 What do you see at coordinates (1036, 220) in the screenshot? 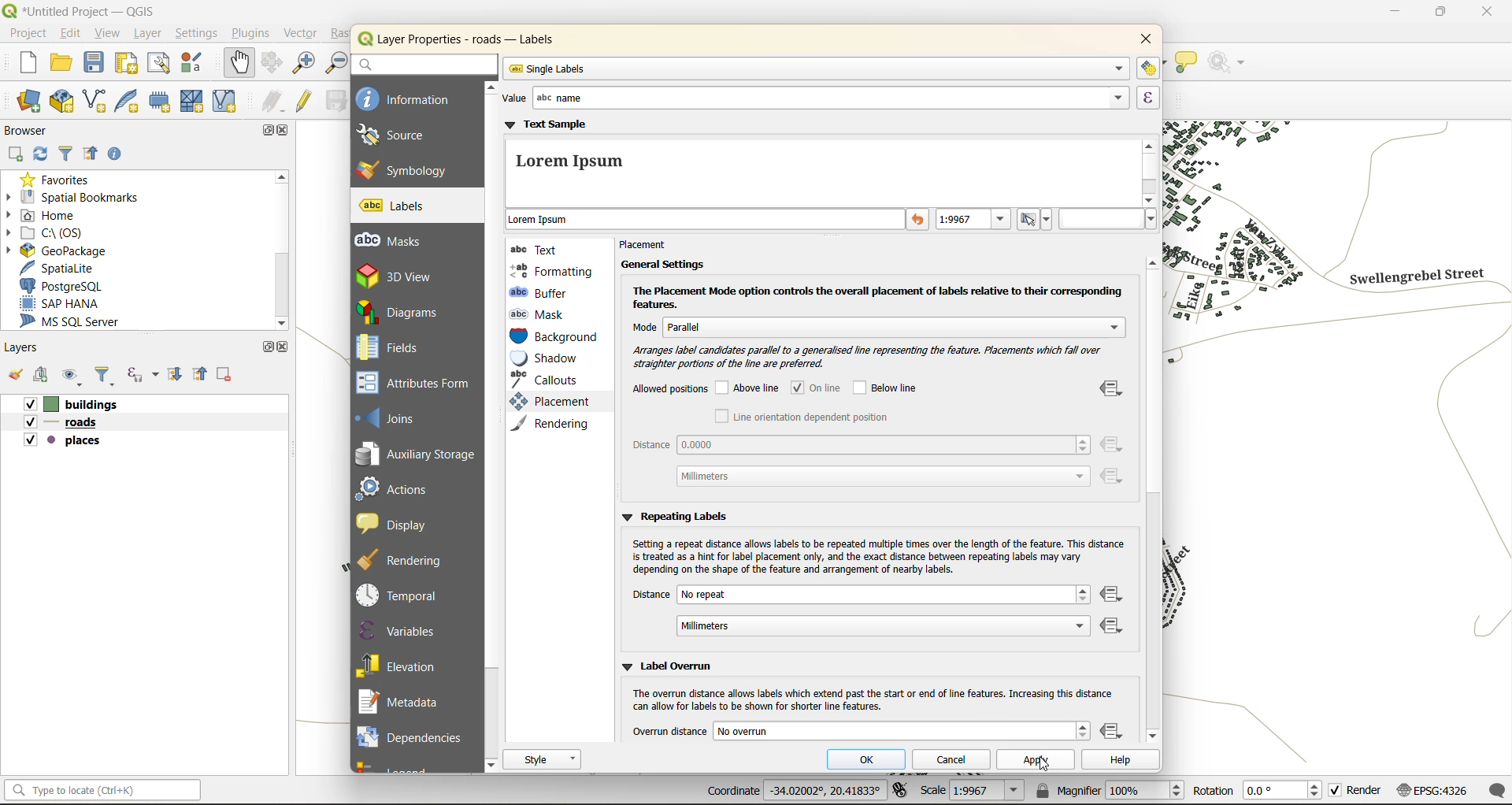
I see `set to current scale` at bounding box center [1036, 220].